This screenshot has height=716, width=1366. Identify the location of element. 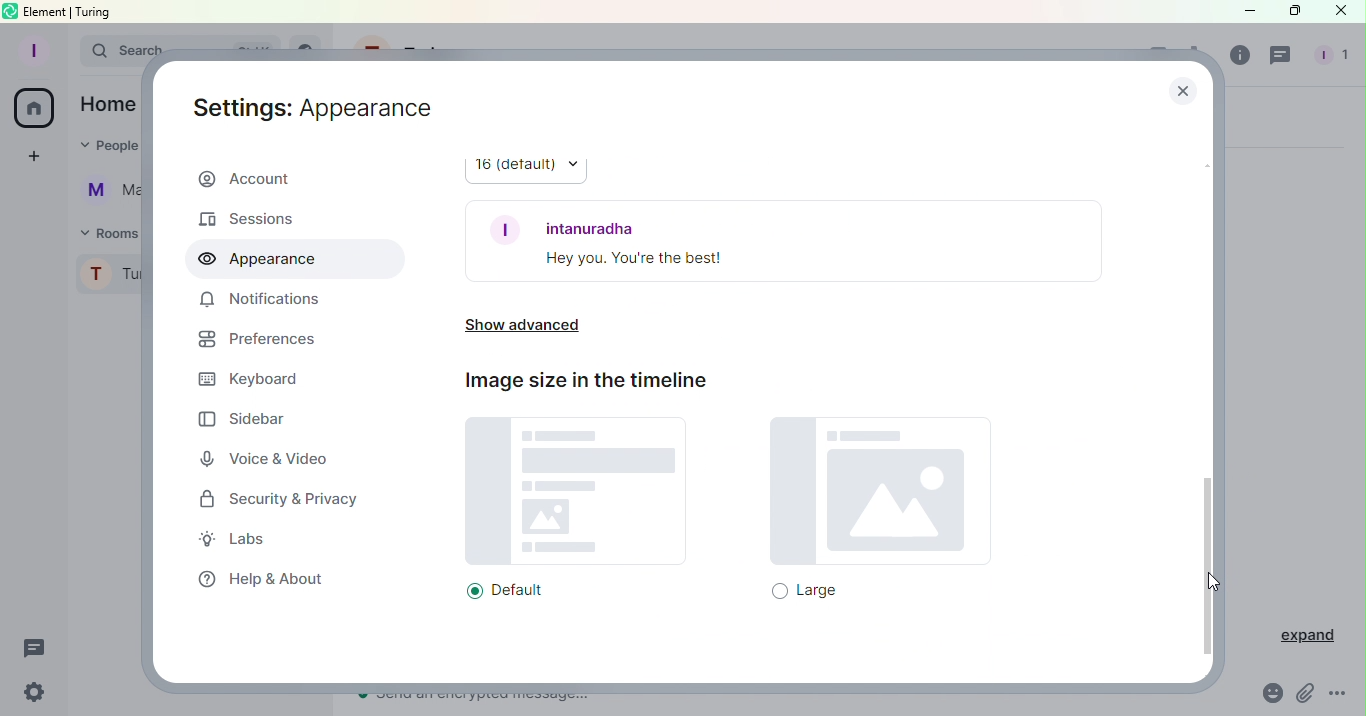
(46, 11).